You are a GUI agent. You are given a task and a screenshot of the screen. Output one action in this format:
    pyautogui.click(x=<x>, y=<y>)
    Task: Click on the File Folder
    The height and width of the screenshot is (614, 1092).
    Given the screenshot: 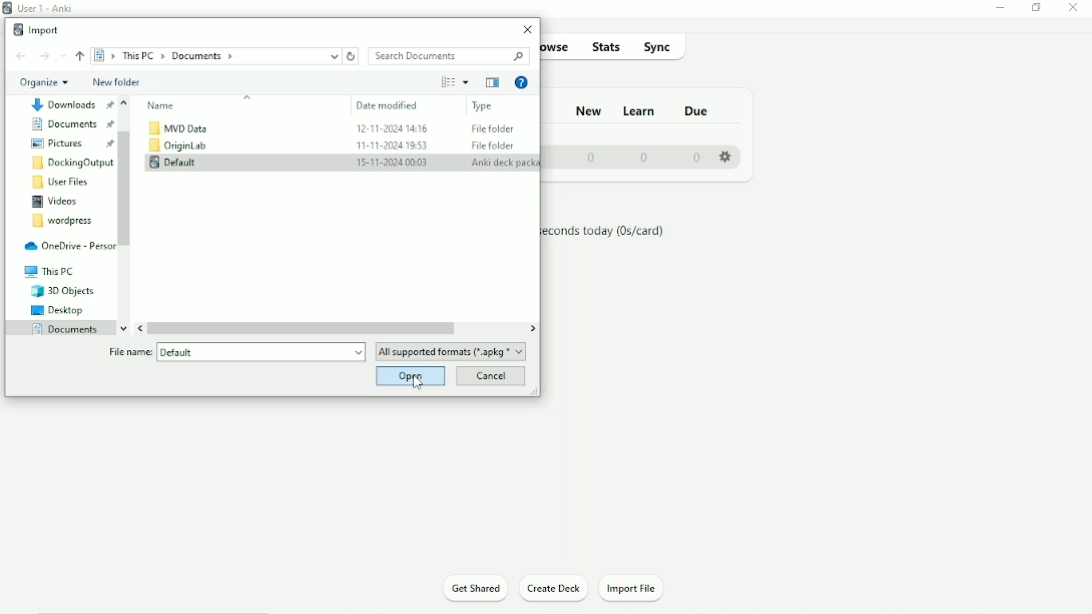 What is the action you would take?
    pyautogui.click(x=492, y=128)
    